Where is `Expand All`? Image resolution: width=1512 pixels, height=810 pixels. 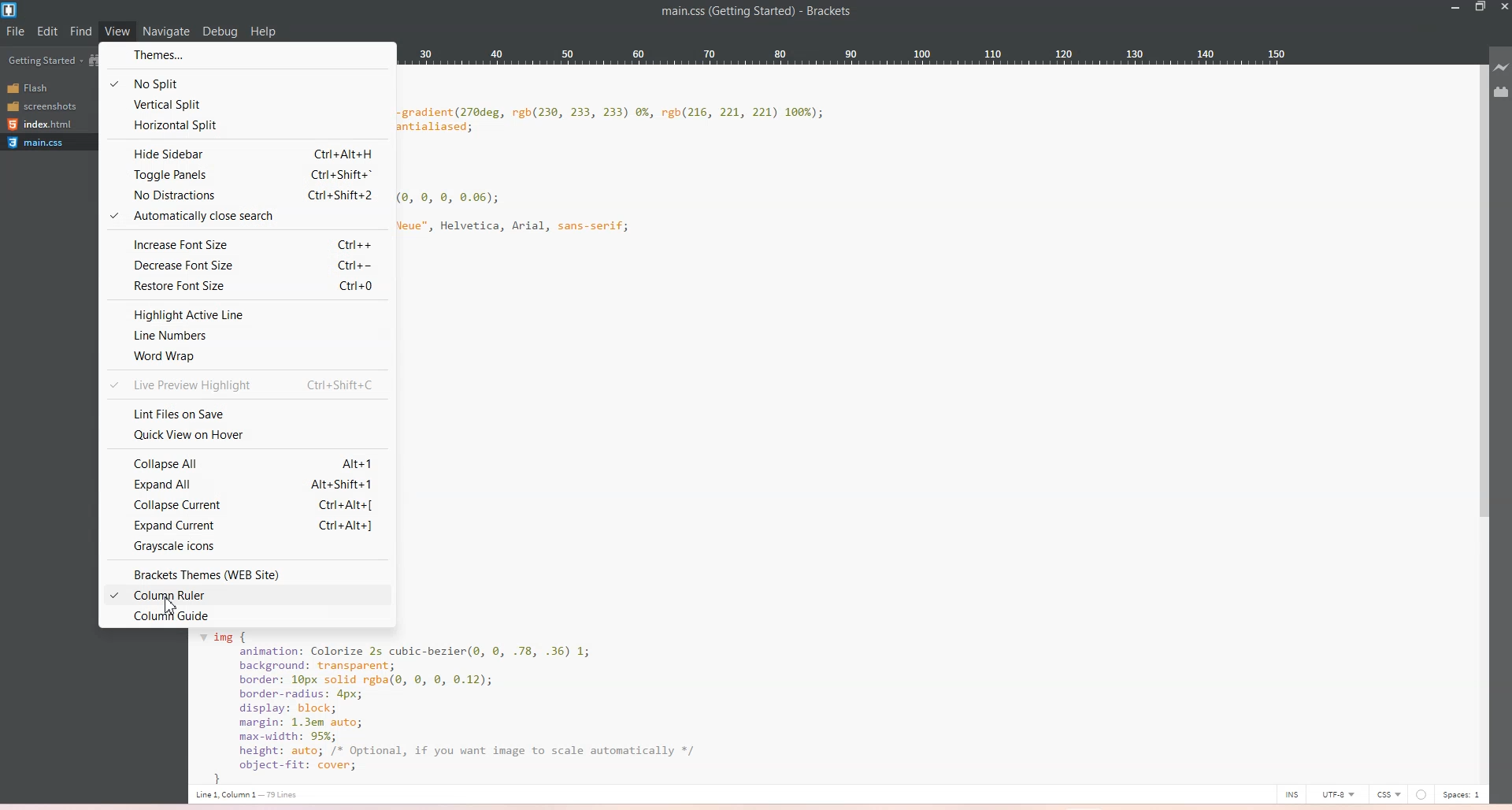 Expand All is located at coordinates (247, 483).